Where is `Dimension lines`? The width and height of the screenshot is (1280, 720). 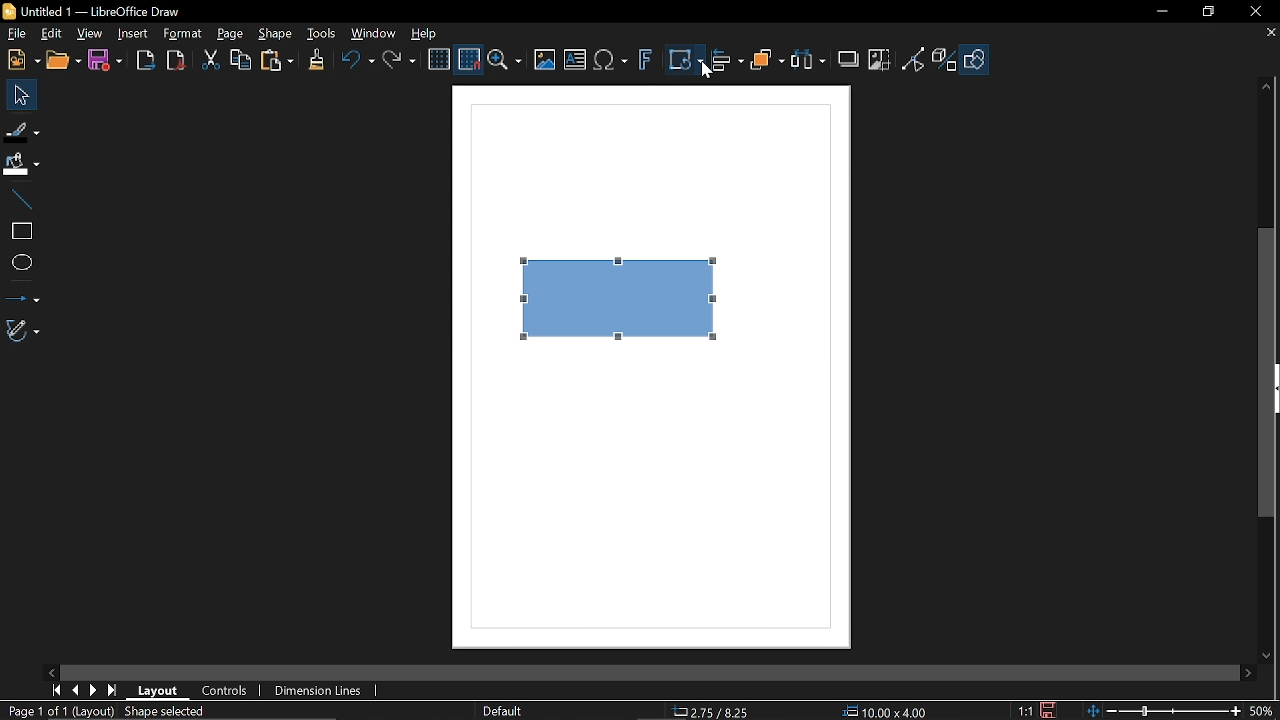
Dimension lines is located at coordinates (322, 692).